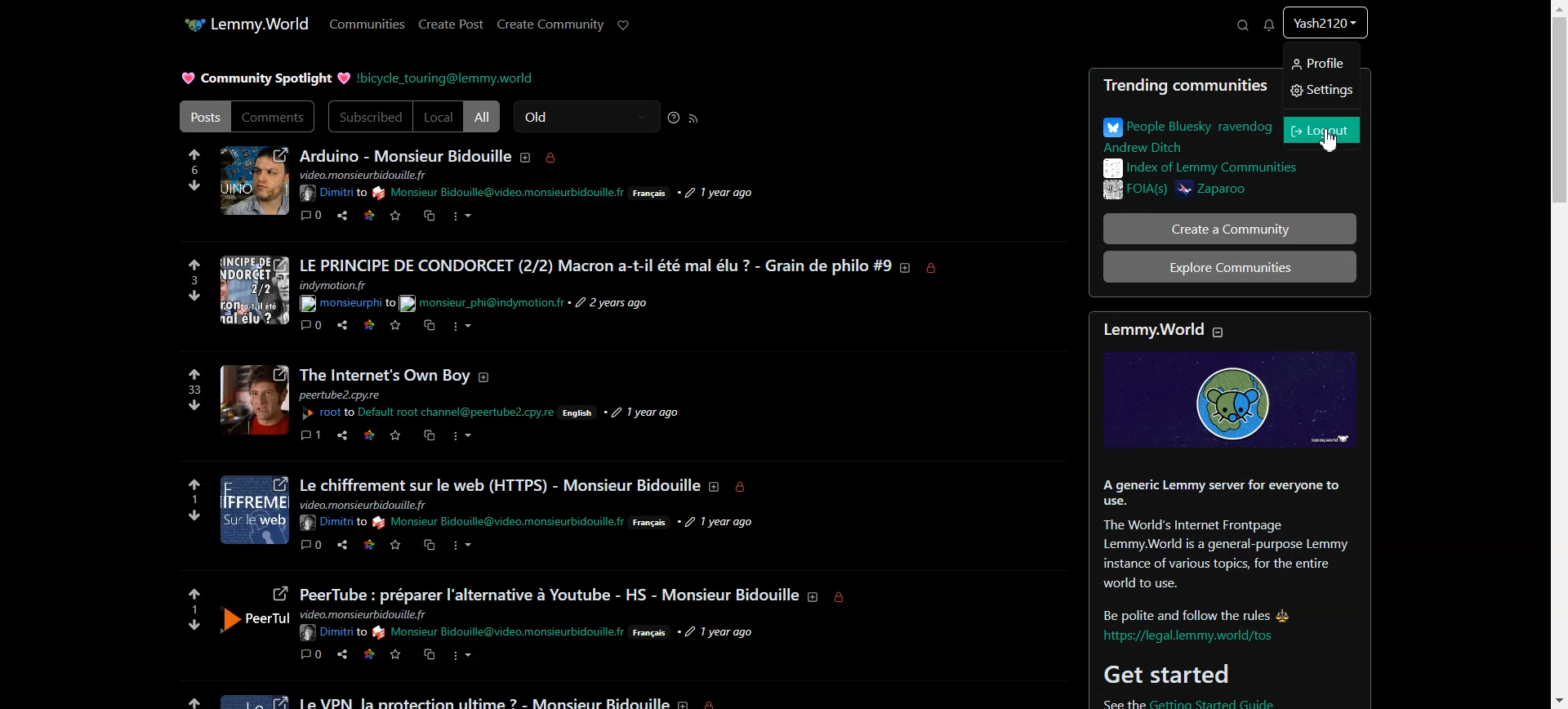  What do you see at coordinates (369, 117) in the screenshot?
I see `Subscribed` at bounding box center [369, 117].